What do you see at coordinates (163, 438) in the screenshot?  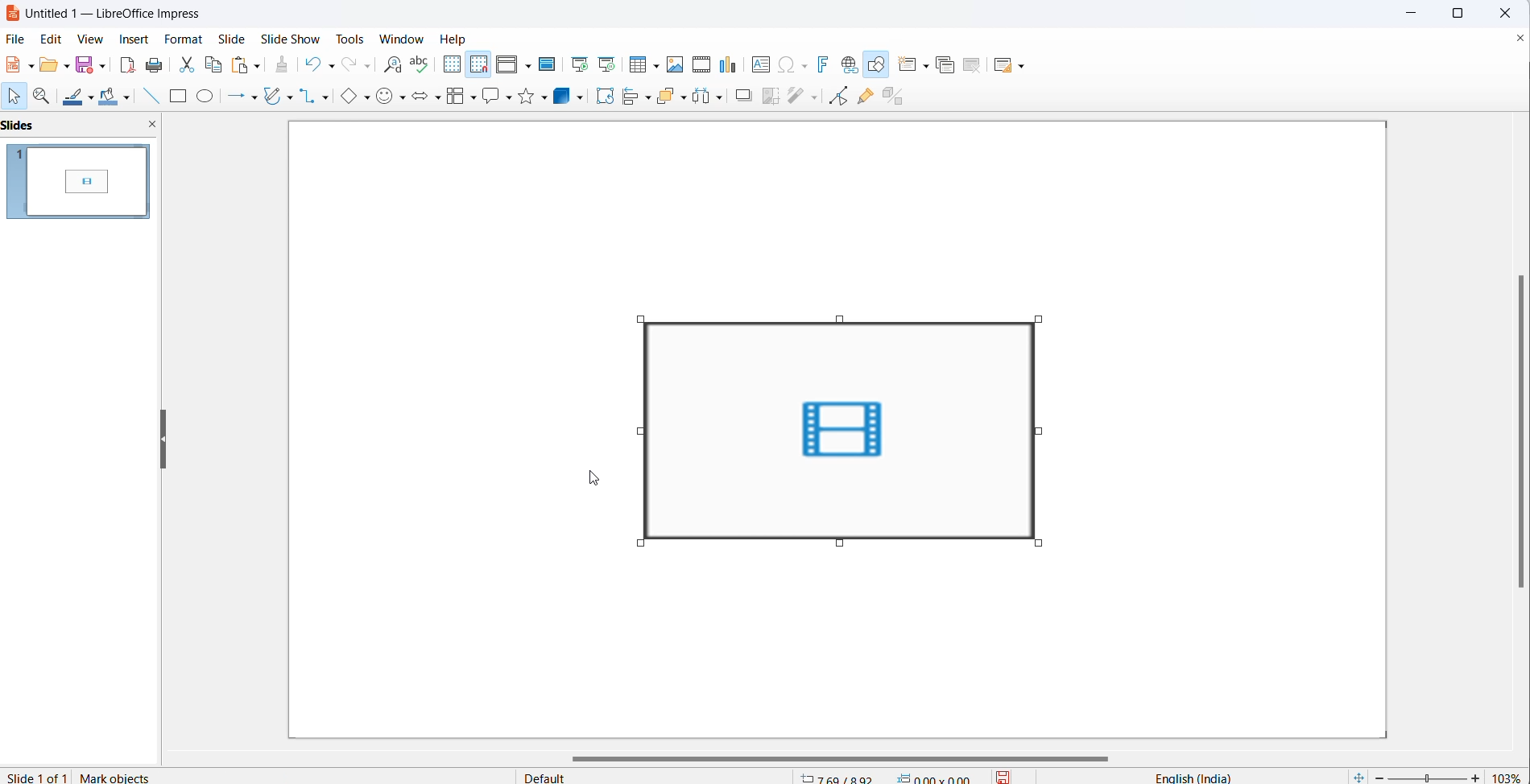 I see `resize` at bounding box center [163, 438].